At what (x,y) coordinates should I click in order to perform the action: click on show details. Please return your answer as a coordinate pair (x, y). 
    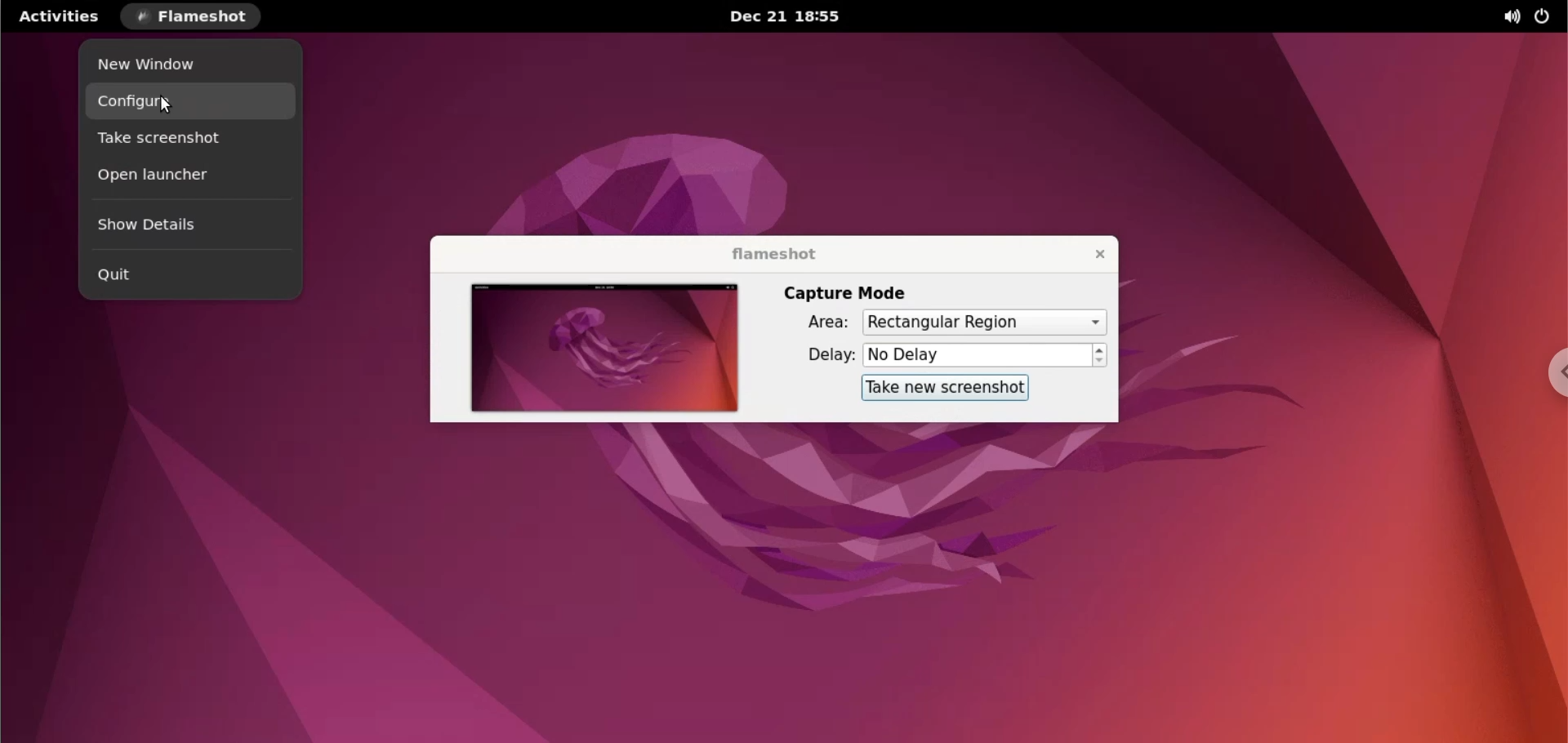
    Looking at the image, I should click on (184, 223).